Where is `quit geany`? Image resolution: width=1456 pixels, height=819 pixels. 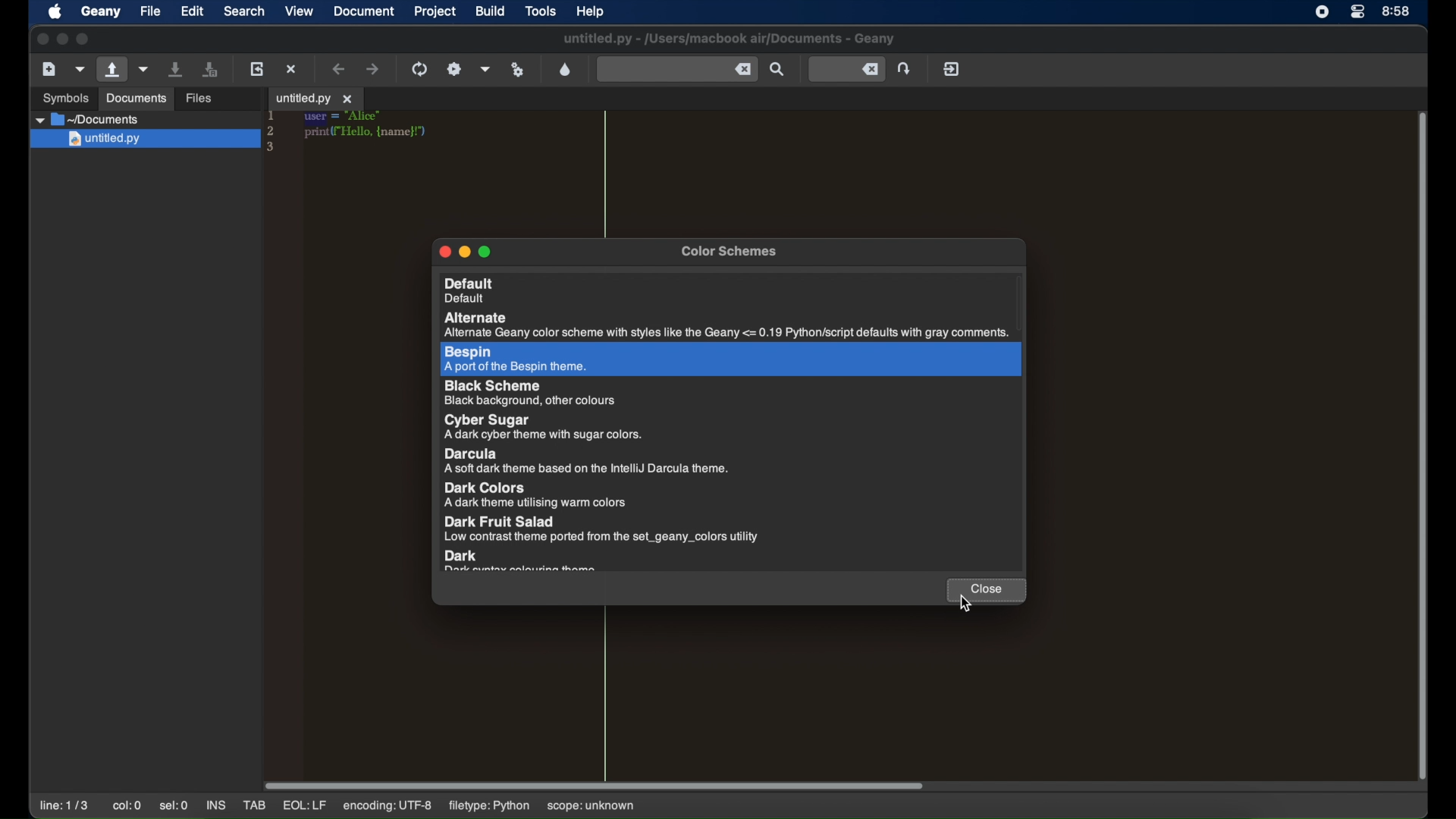 quit geany is located at coordinates (952, 68).